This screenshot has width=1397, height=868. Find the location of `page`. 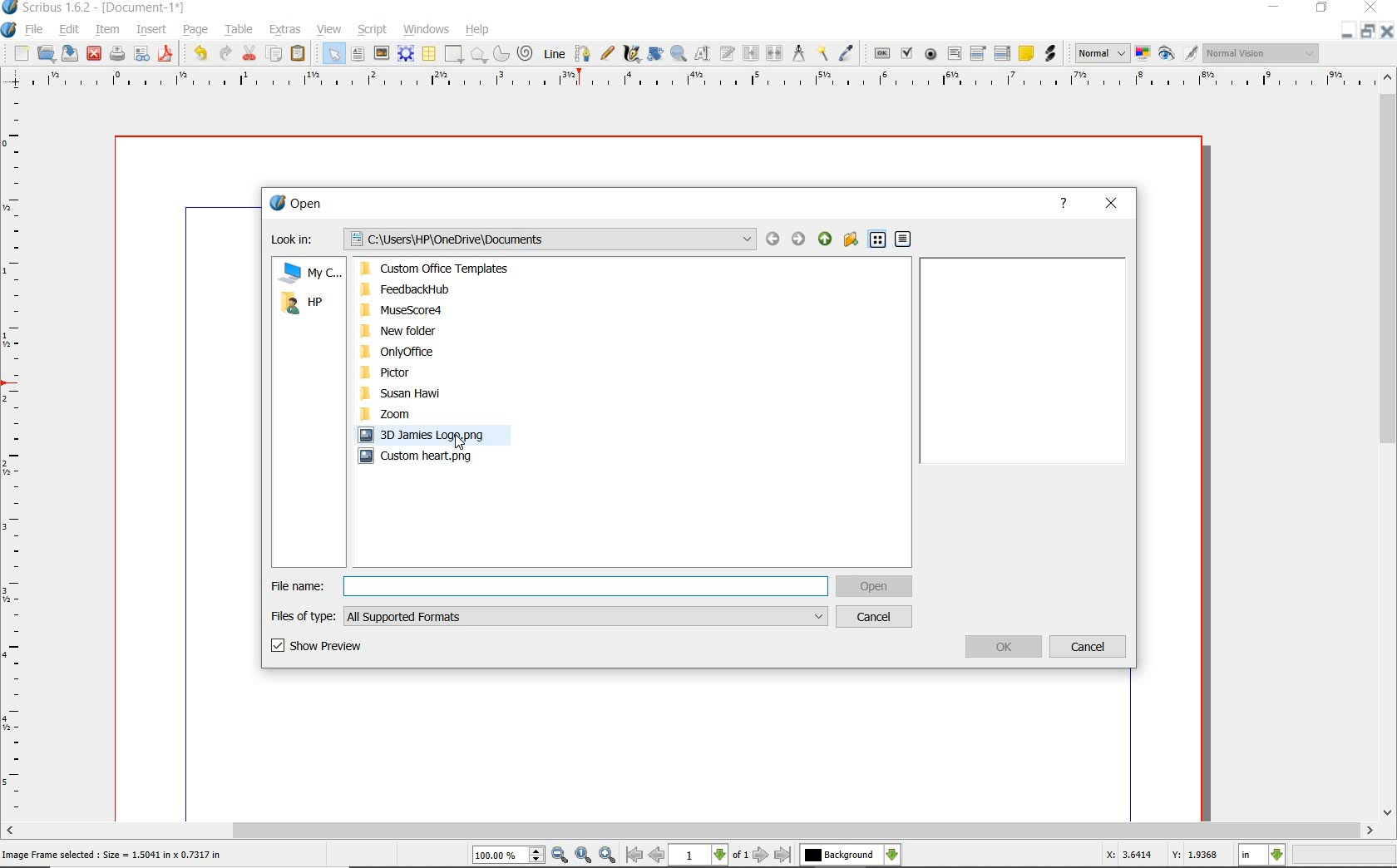

page is located at coordinates (195, 31).